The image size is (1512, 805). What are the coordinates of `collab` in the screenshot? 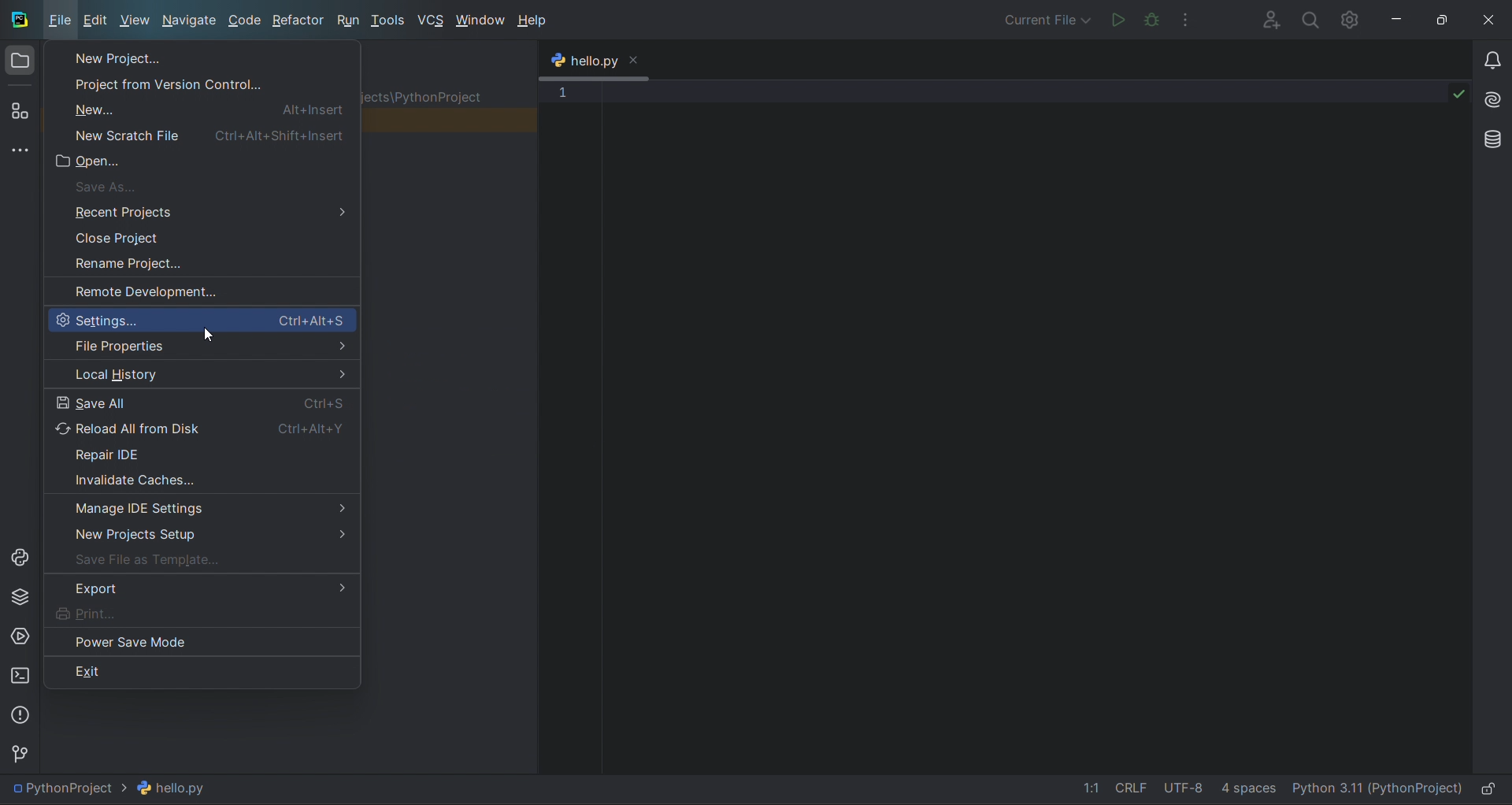 It's located at (1271, 20).